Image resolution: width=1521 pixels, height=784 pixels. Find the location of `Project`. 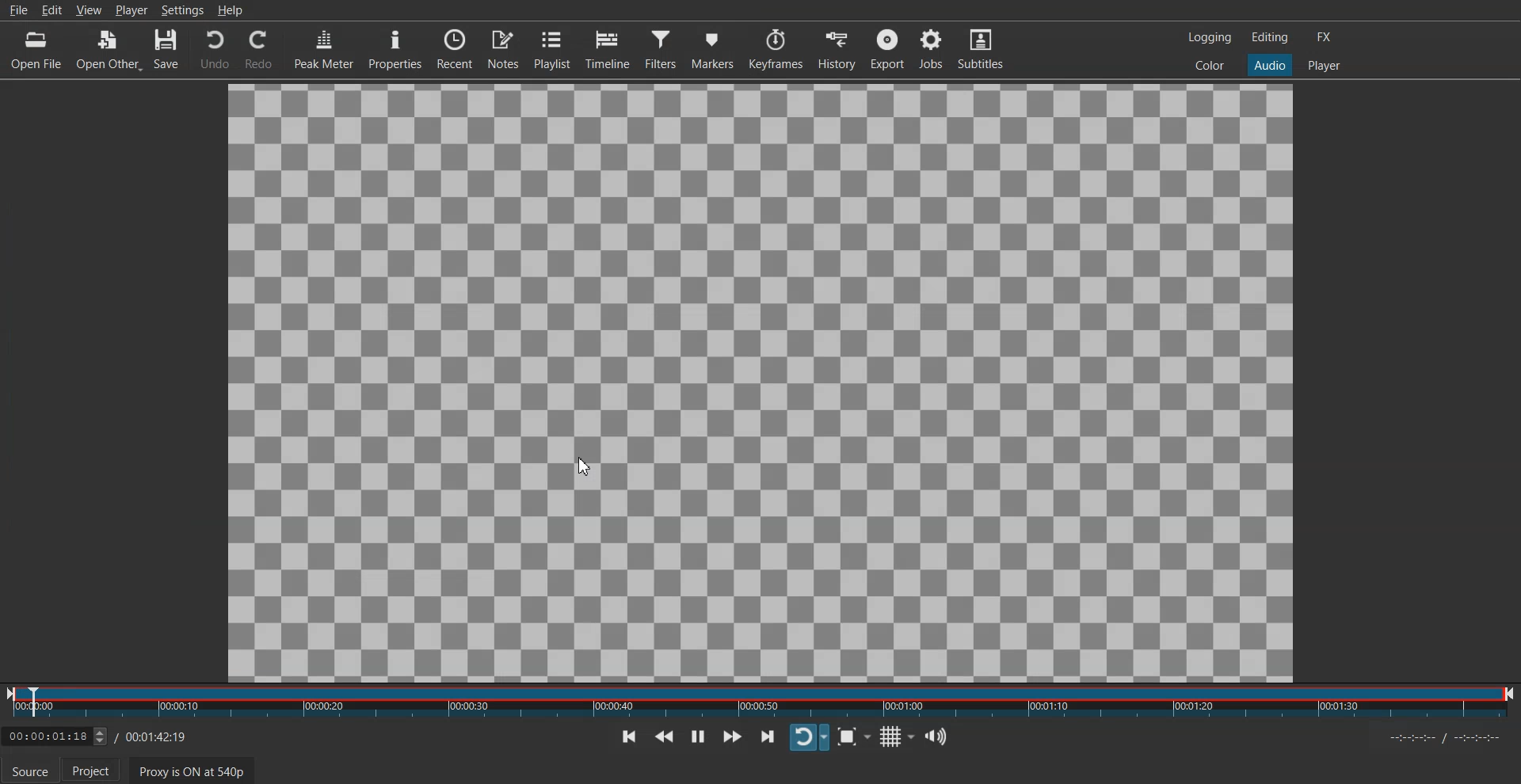

Project is located at coordinates (96, 771).